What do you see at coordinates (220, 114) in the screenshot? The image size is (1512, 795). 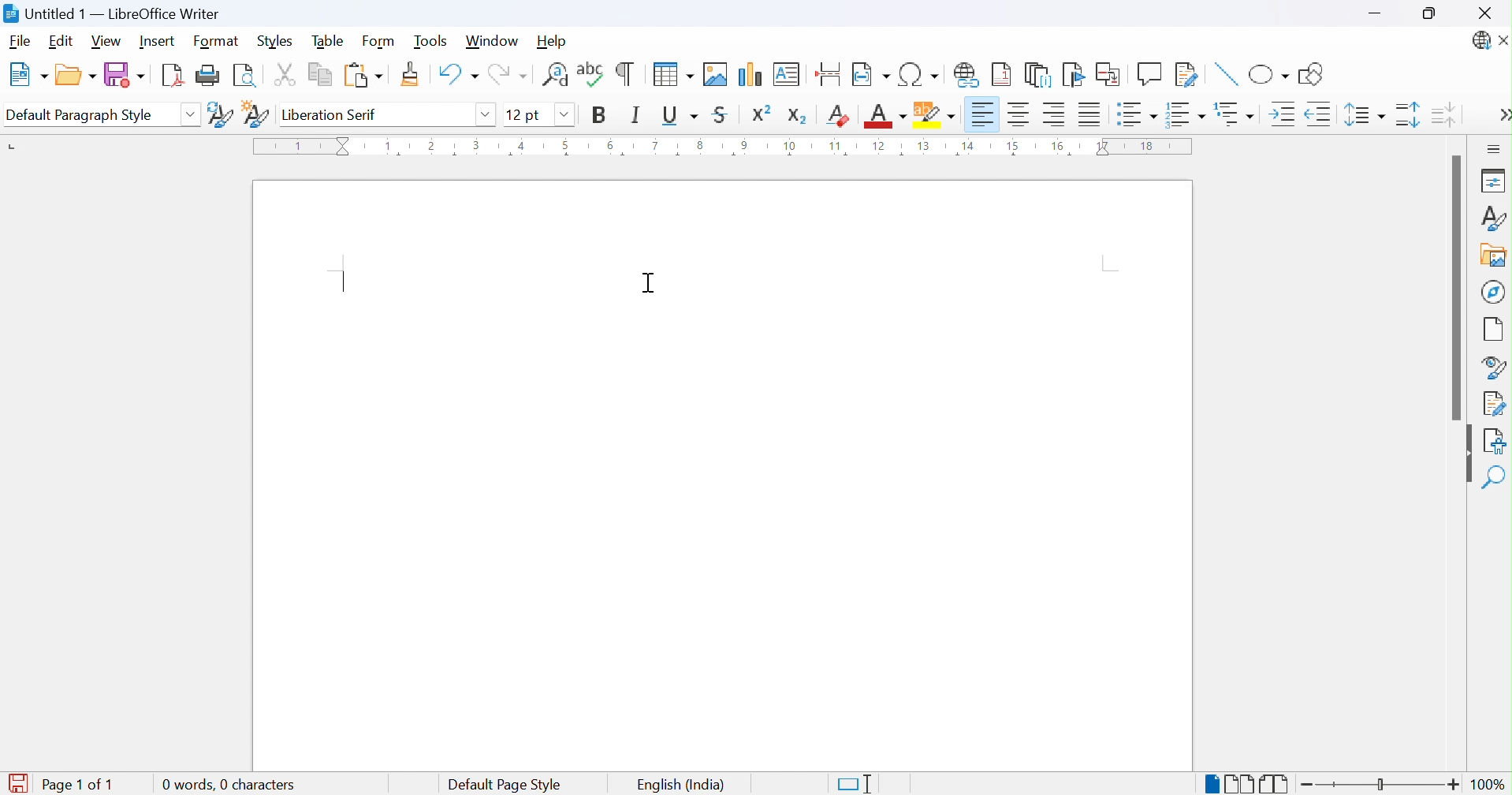 I see `Update selected style` at bounding box center [220, 114].